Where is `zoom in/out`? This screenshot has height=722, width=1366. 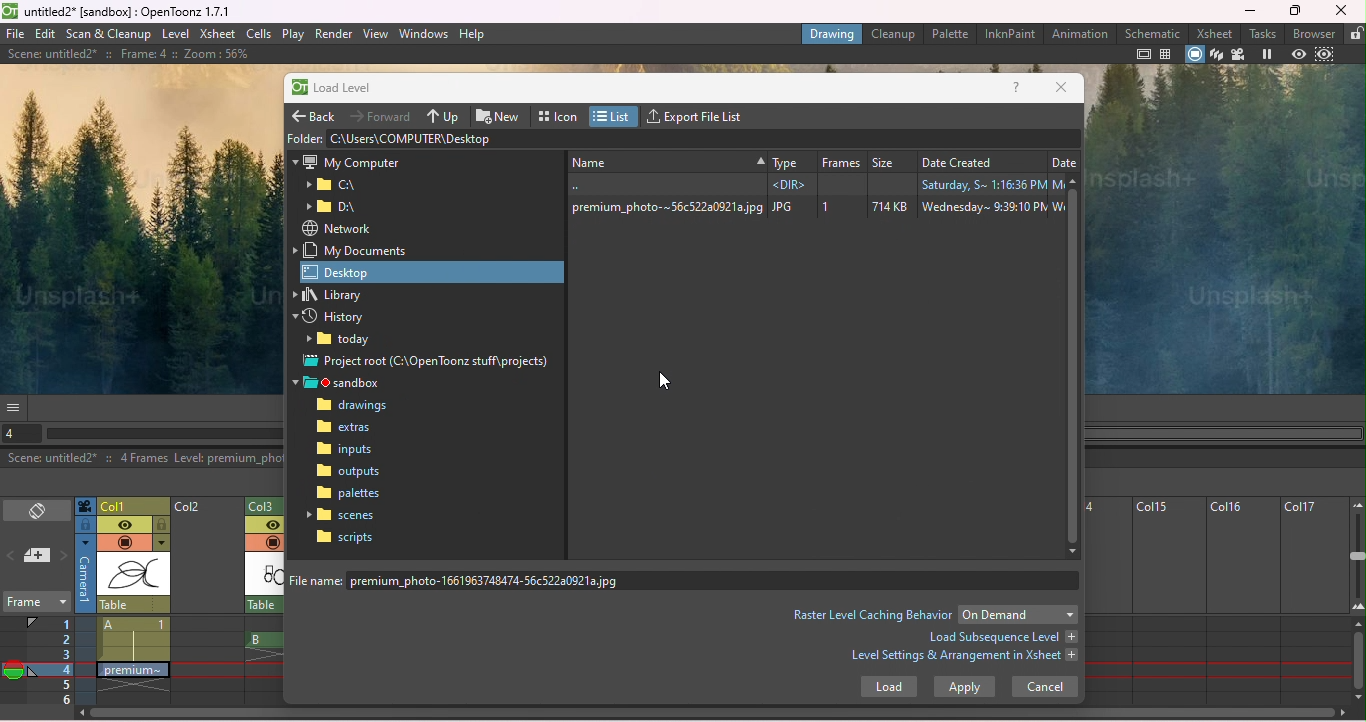
zoom in/out is located at coordinates (1358, 555).